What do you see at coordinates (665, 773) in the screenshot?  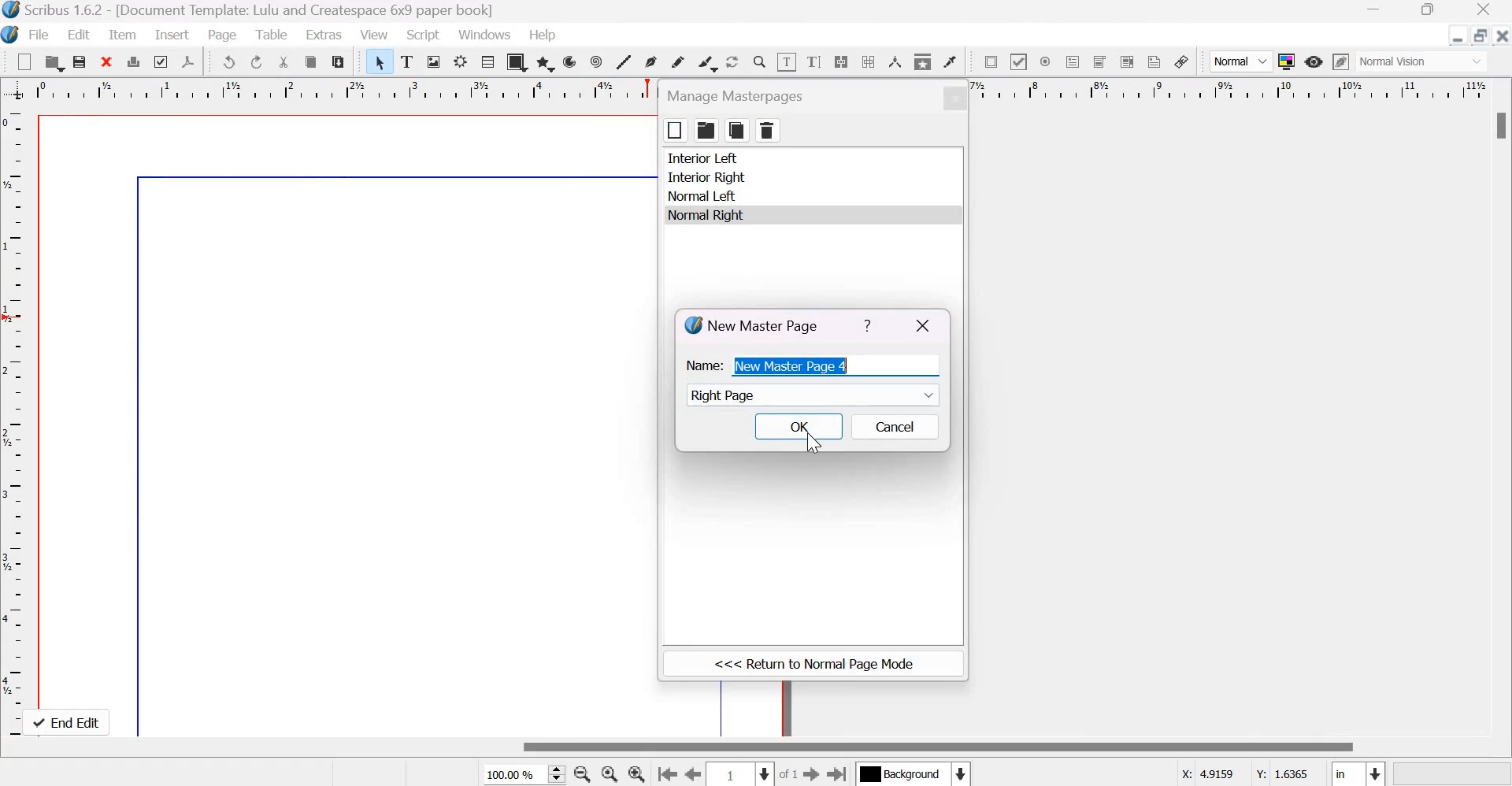 I see `go to the first page` at bounding box center [665, 773].